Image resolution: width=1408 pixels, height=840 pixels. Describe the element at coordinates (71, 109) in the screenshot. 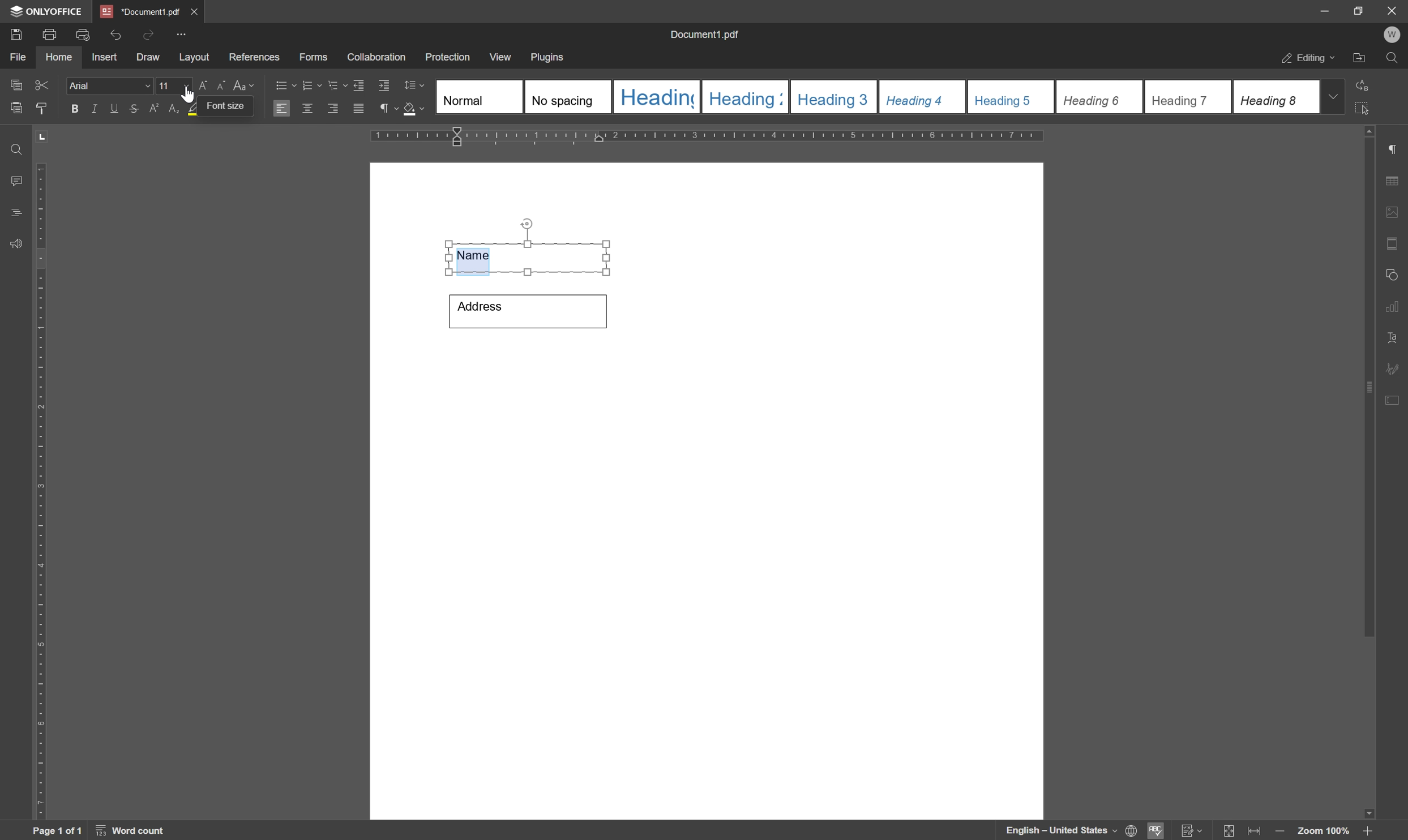

I see `bold` at that location.